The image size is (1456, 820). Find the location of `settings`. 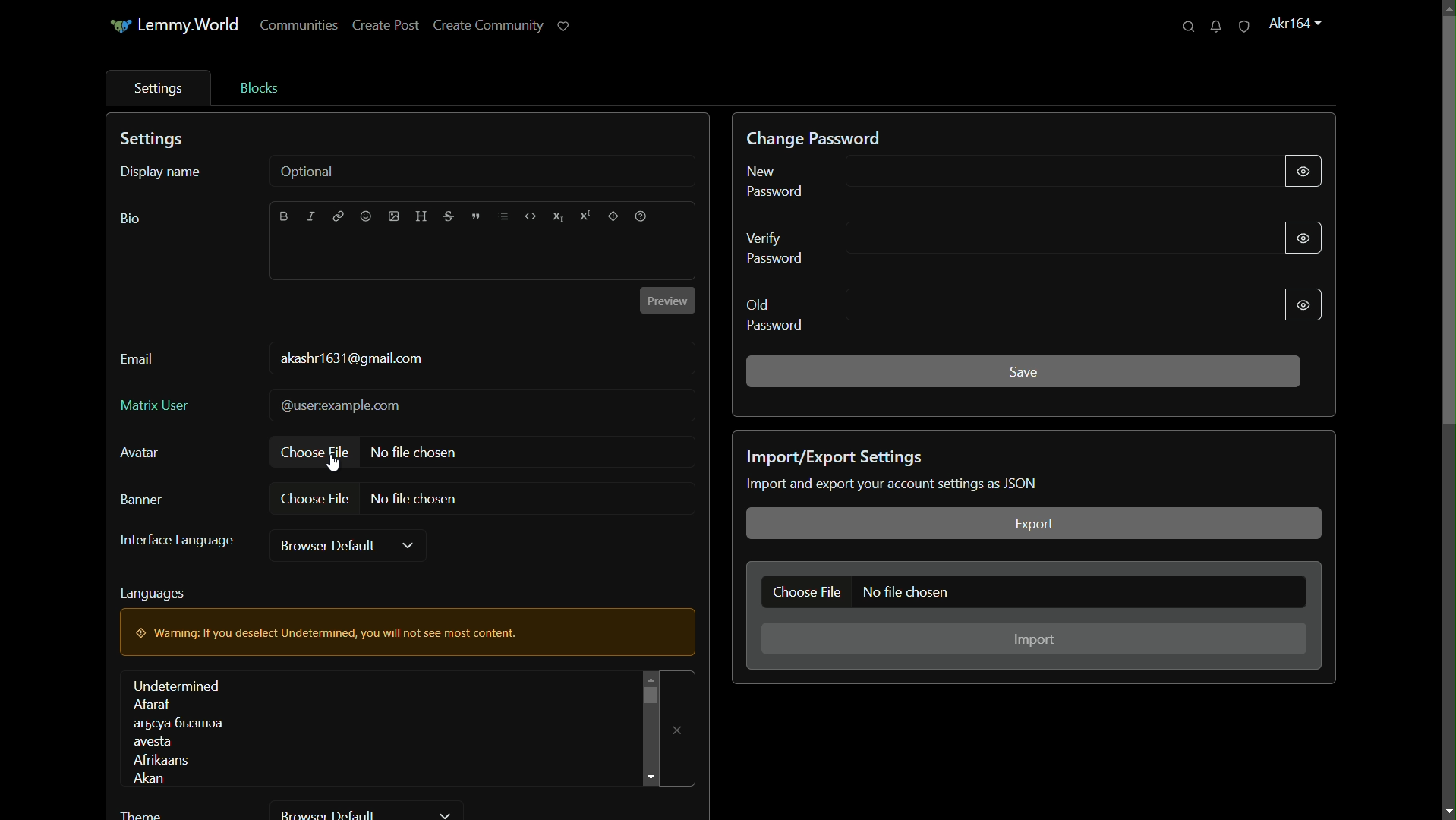

settings is located at coordinates (155, 140).